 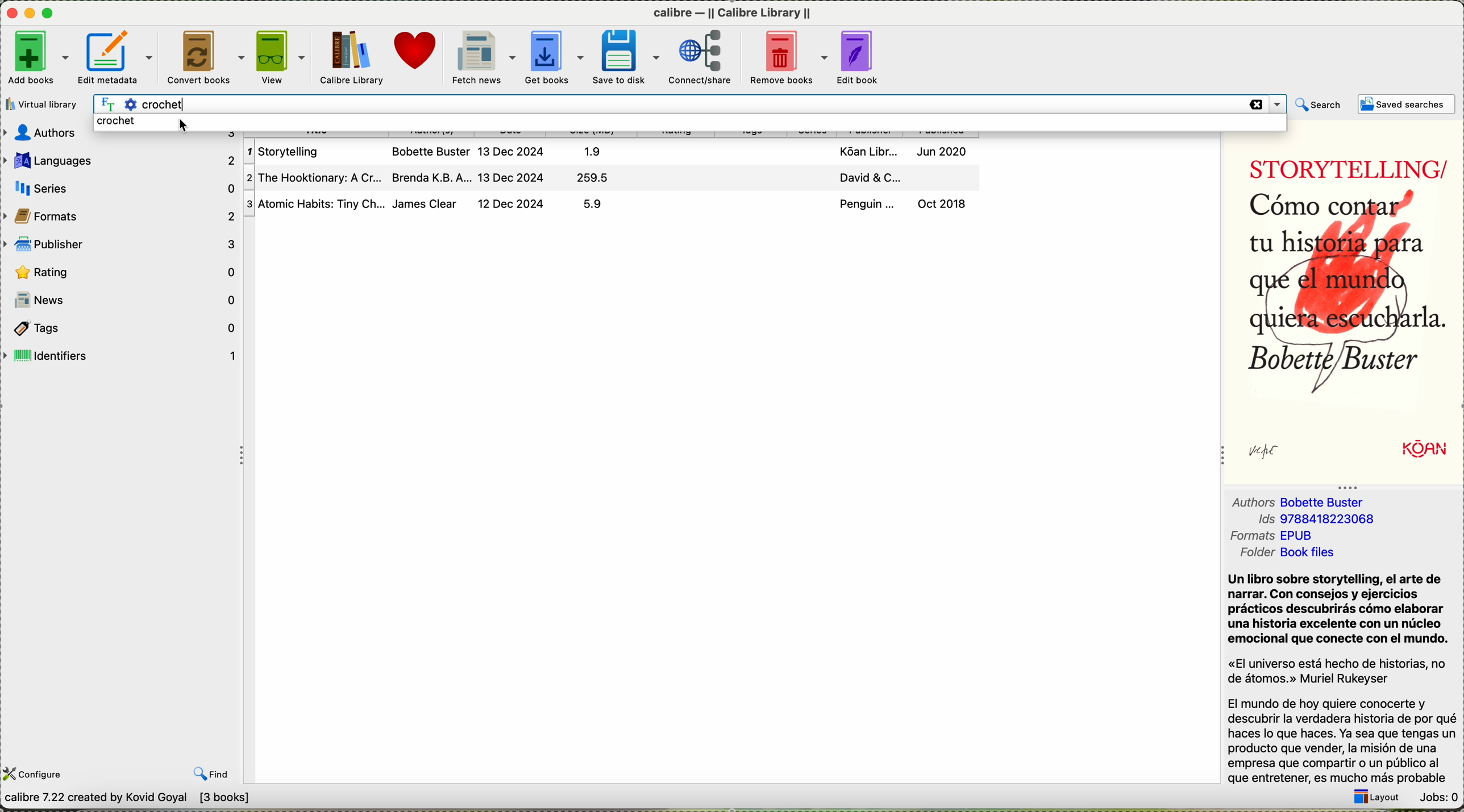 What do you see at coordinates (1404, 450) in the screenshot?
I see `Koan` at bounding box center [1404, 450].